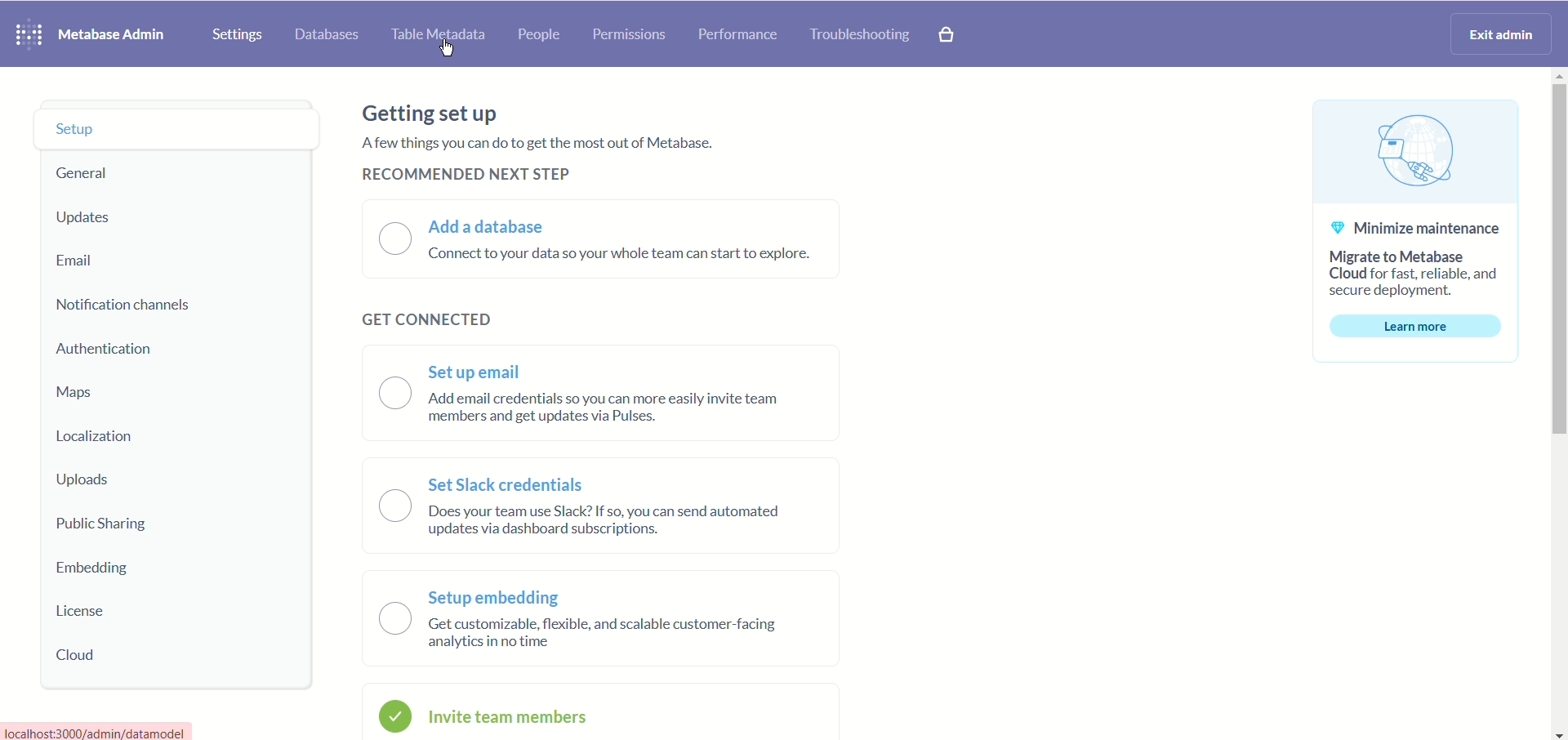  Describe the element at coordinates (1417, 151) in the screenshot. I see `Picture of globe` at that location.